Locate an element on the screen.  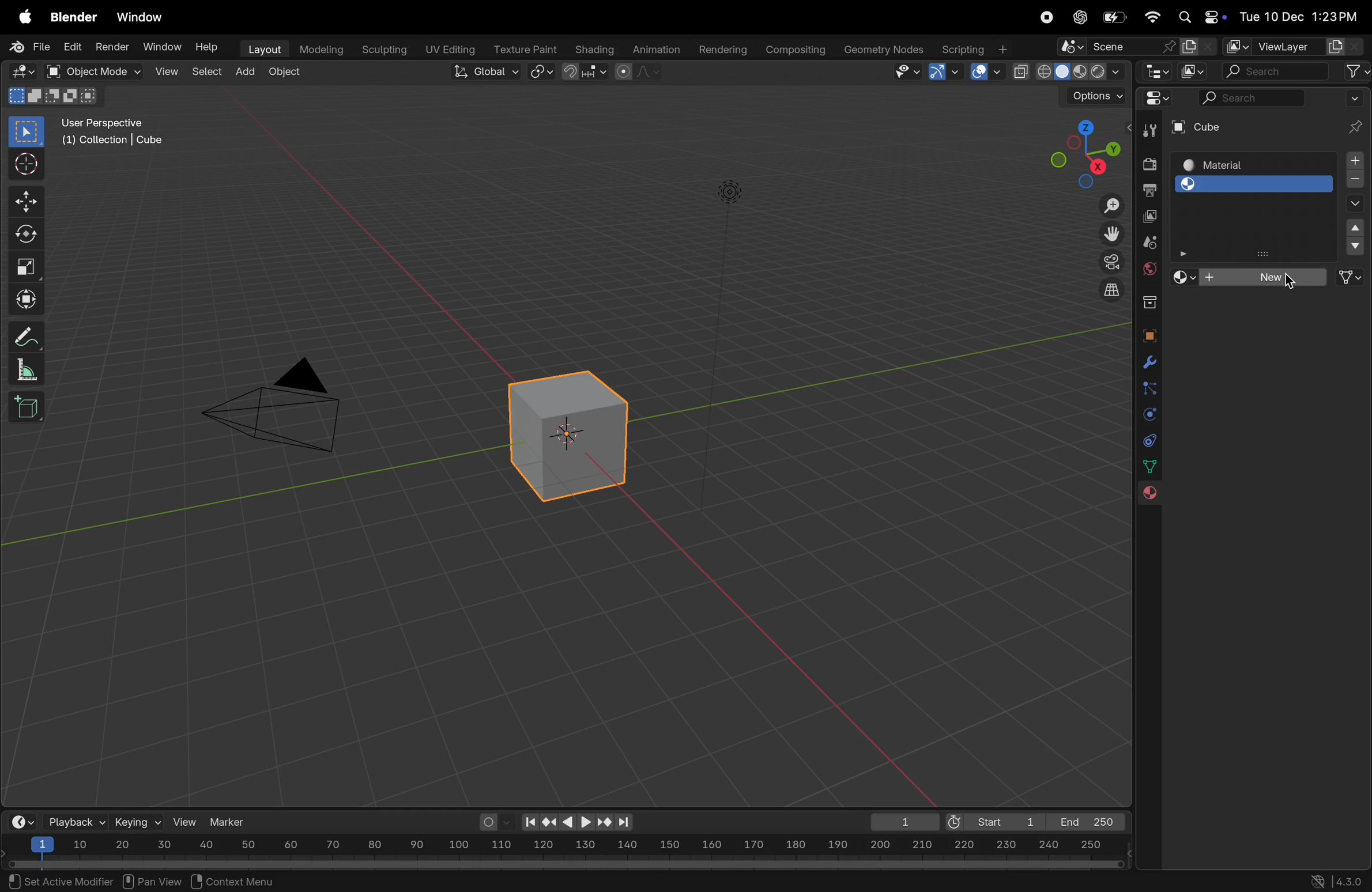
light is located at coordinates (730, 190).